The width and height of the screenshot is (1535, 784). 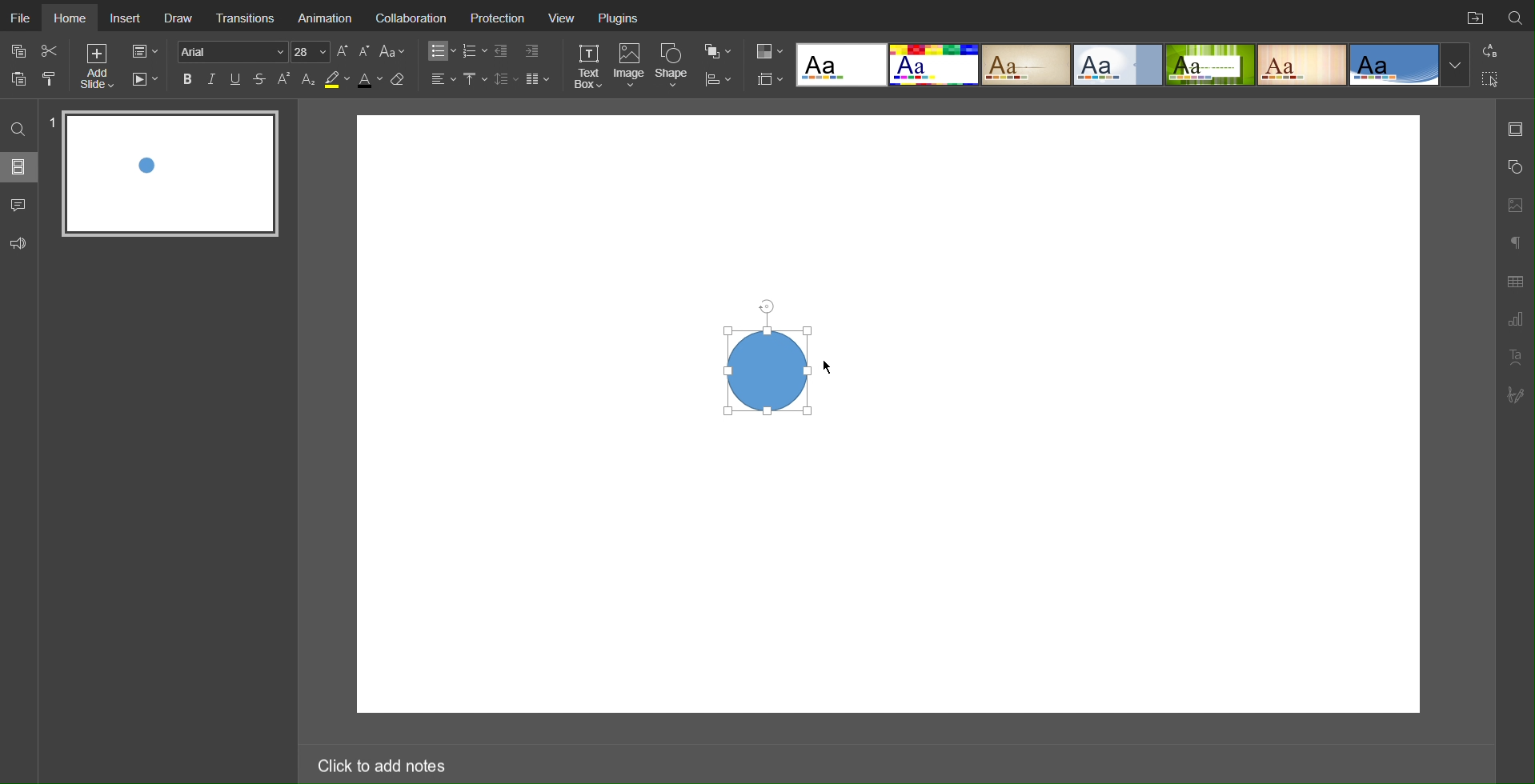 I want to click on Number List, so click(x=474, y=51).